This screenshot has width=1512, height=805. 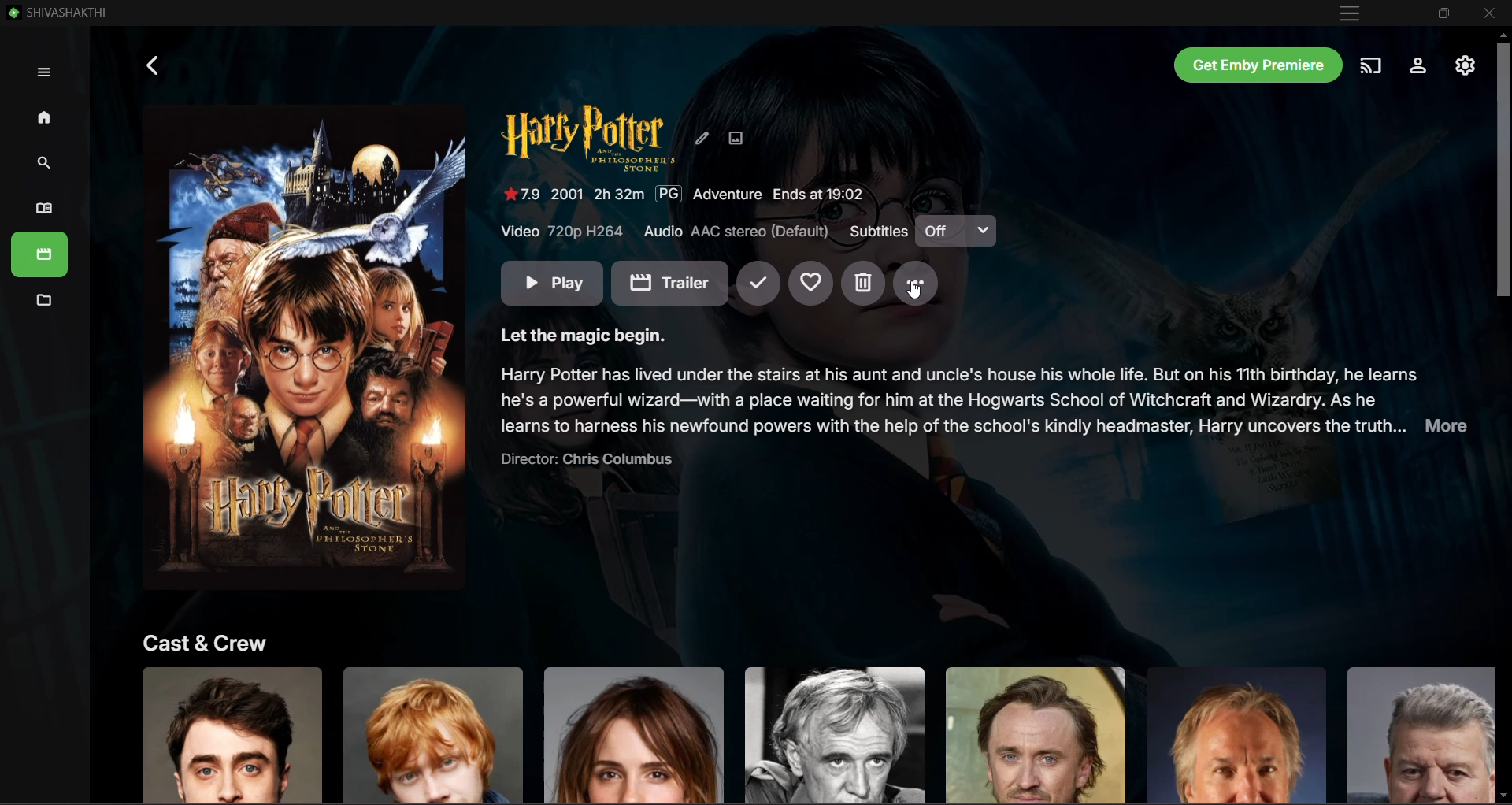 What do you see at coordinates (956, 230) in the screenshot?
I see `Subtitles on/off` at bounding box center [956, 230].